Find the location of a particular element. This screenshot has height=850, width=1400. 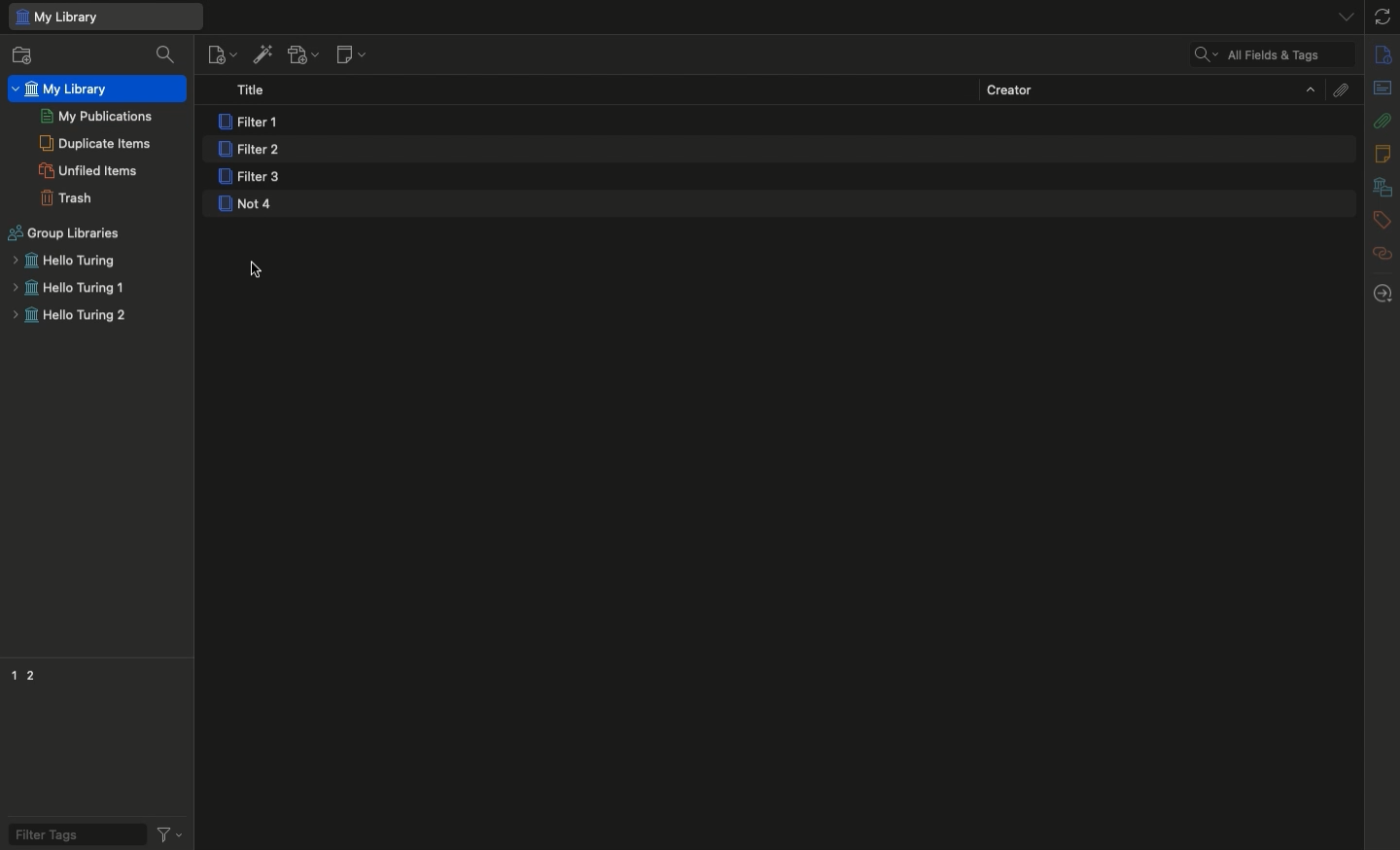

Not 4 is located at coordinates (270, 210).